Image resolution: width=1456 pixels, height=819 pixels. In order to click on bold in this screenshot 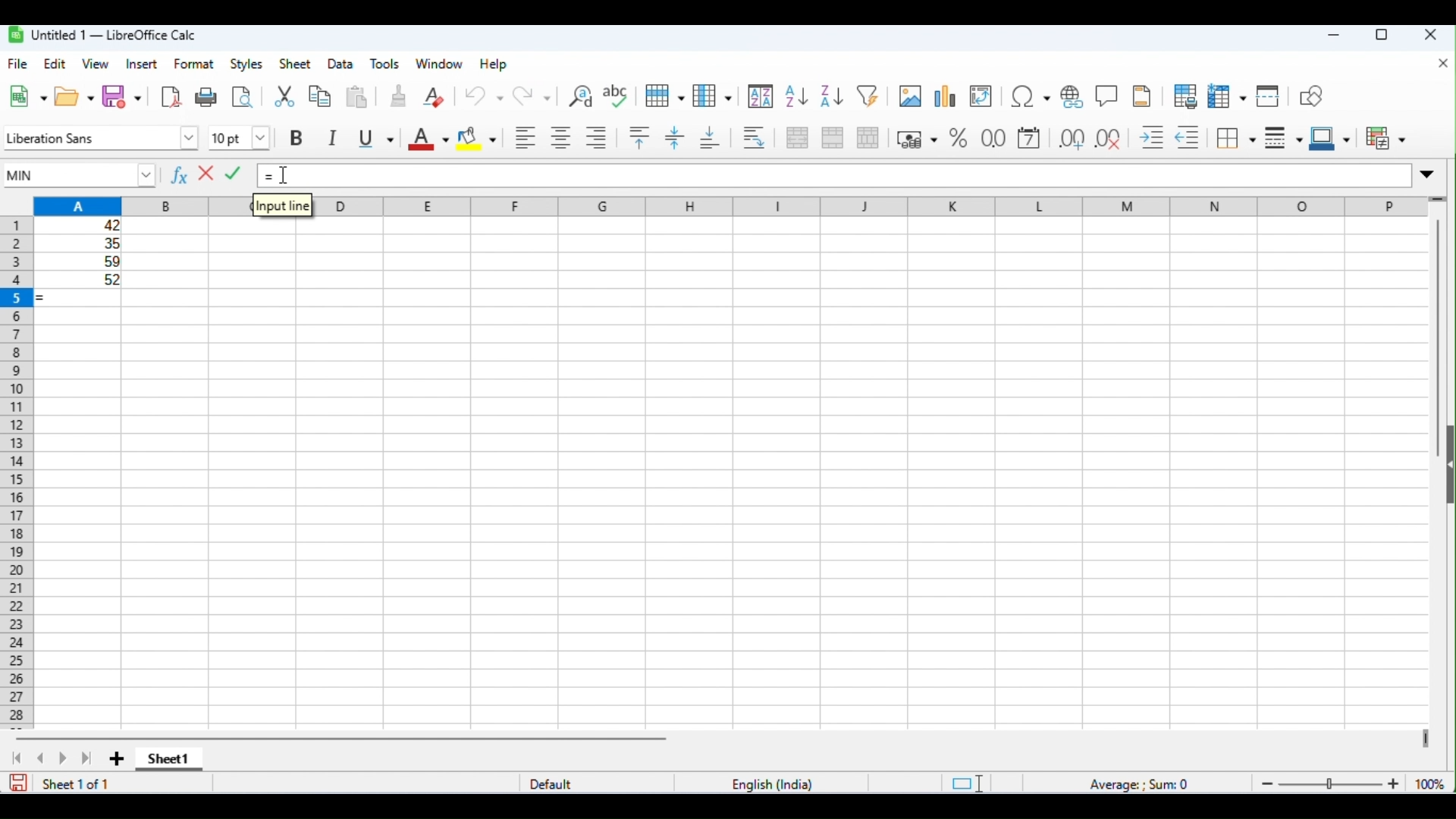, I will do `click(300, 138)`.